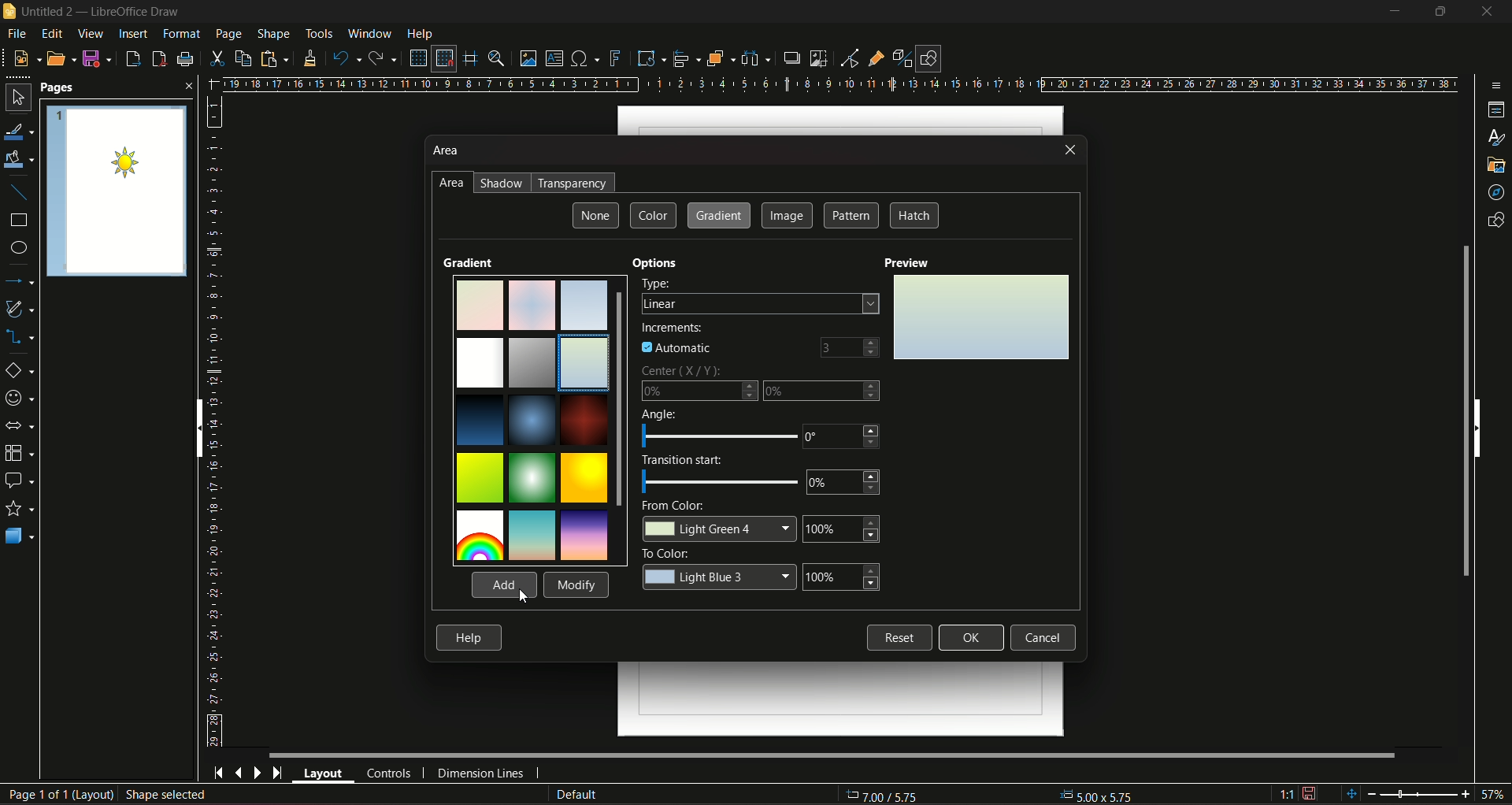  What do you see at coordinates (717, 529) in the screenshot?
I see `color change` at bounding box center [717, 529].